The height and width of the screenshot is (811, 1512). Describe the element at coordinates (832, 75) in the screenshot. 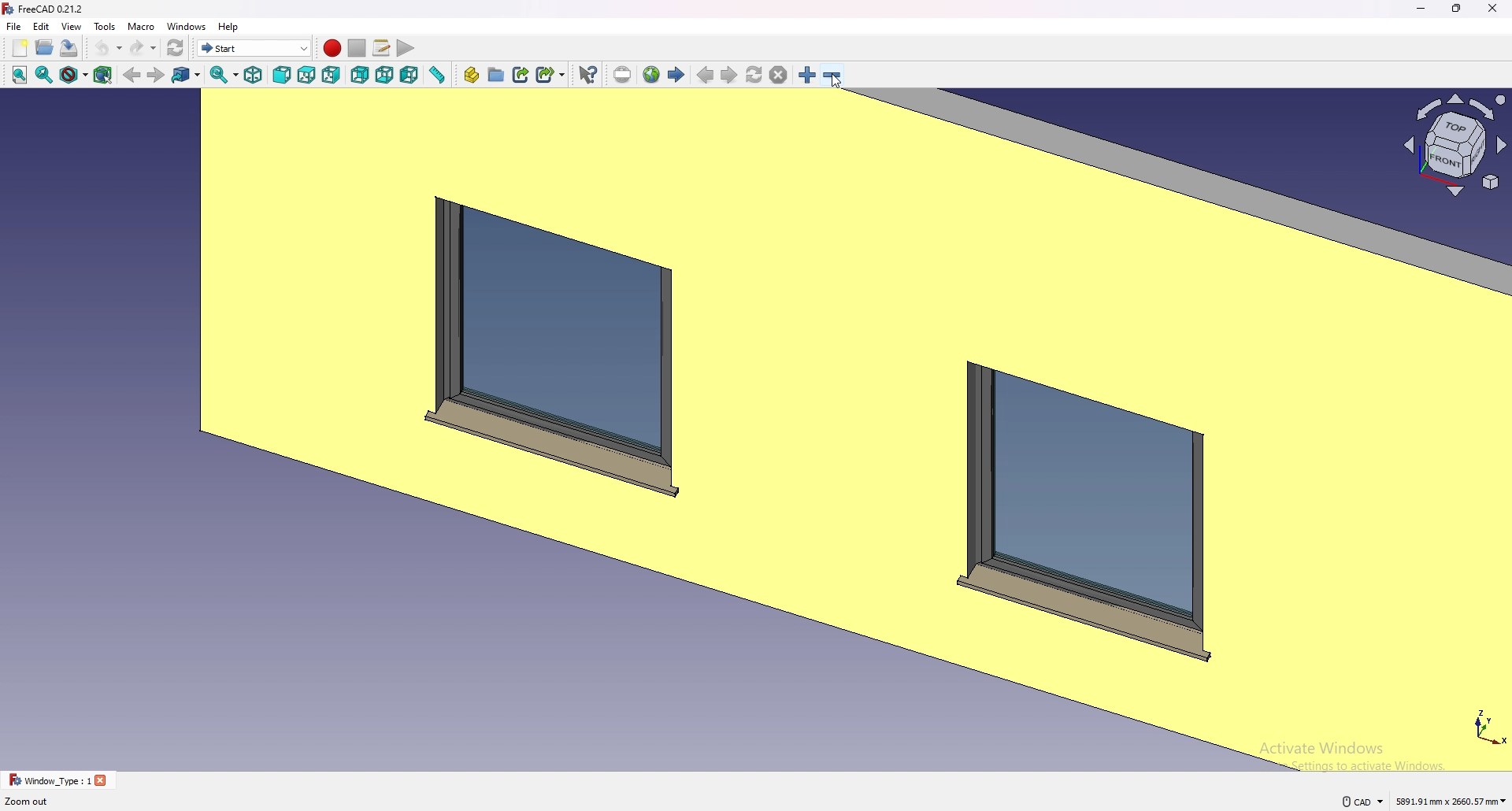

I see `zoom out` at that location.